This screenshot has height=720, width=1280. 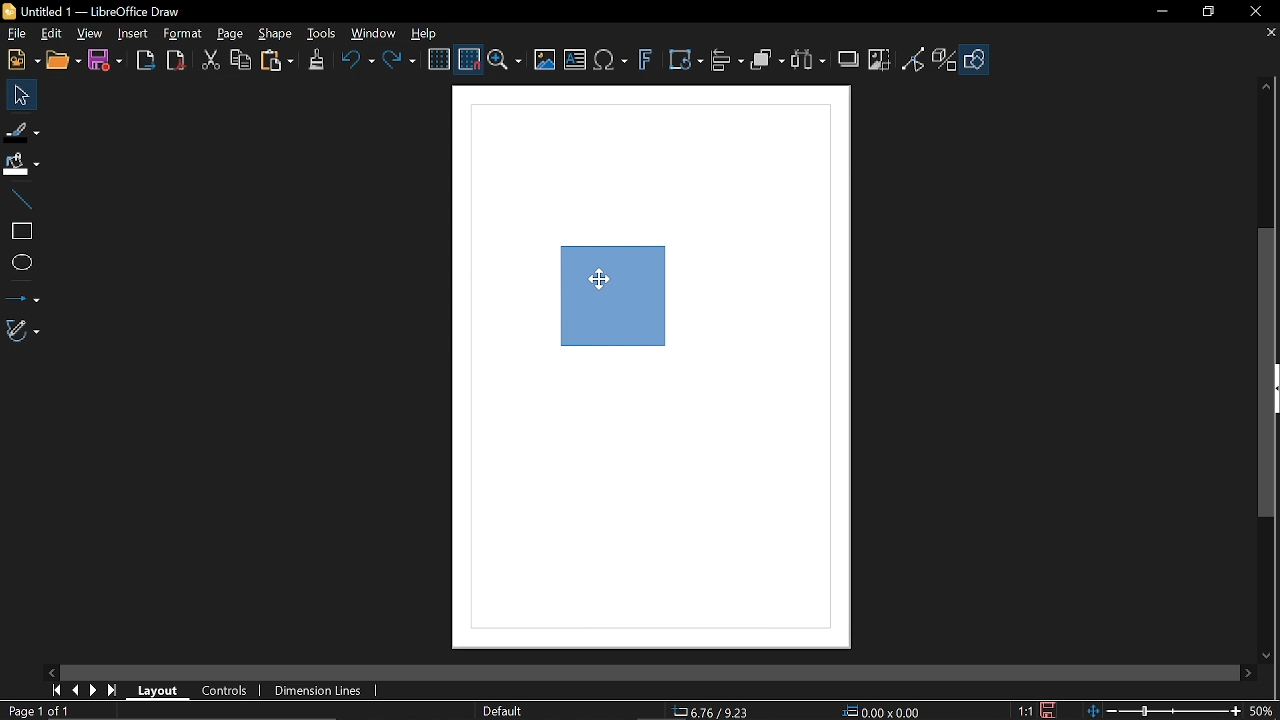 What do you see at coordinates (20, 200) in the screenshot?
I see `Line` at bounding box center [20, 200].